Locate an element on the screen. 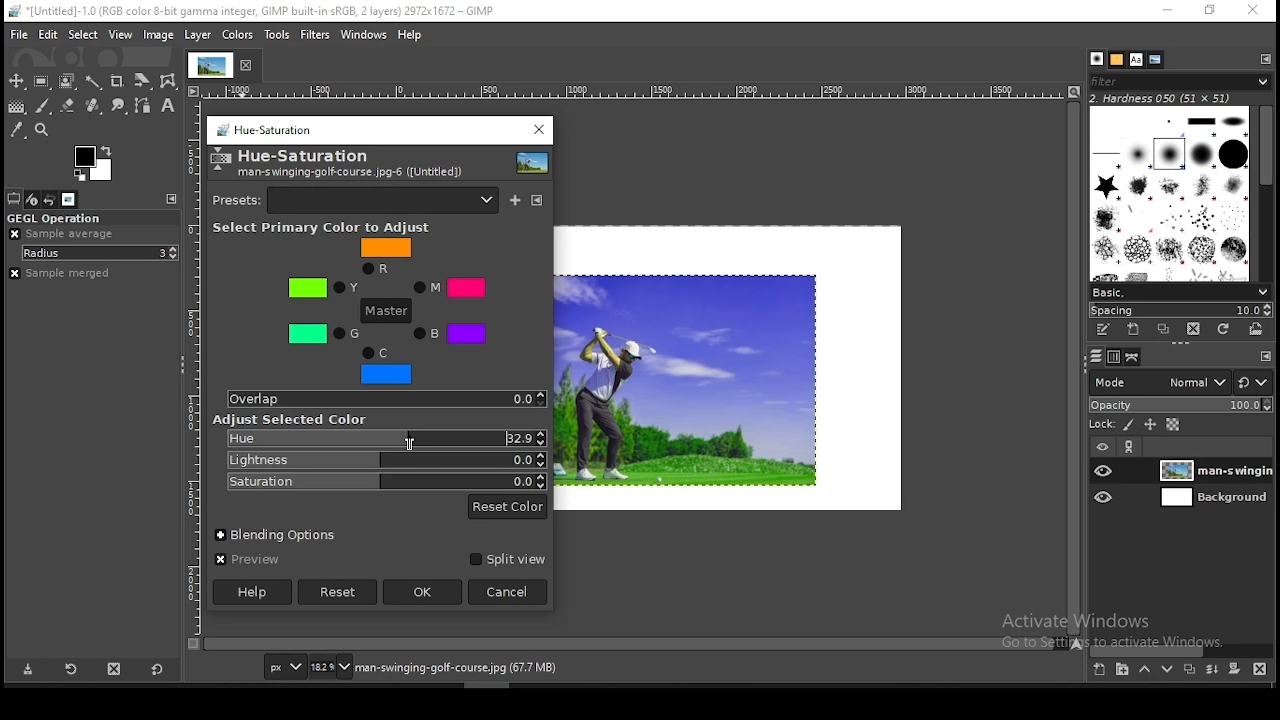 This screenshot has width=1280, height=720. move tool is located at coordinates (16, 80).